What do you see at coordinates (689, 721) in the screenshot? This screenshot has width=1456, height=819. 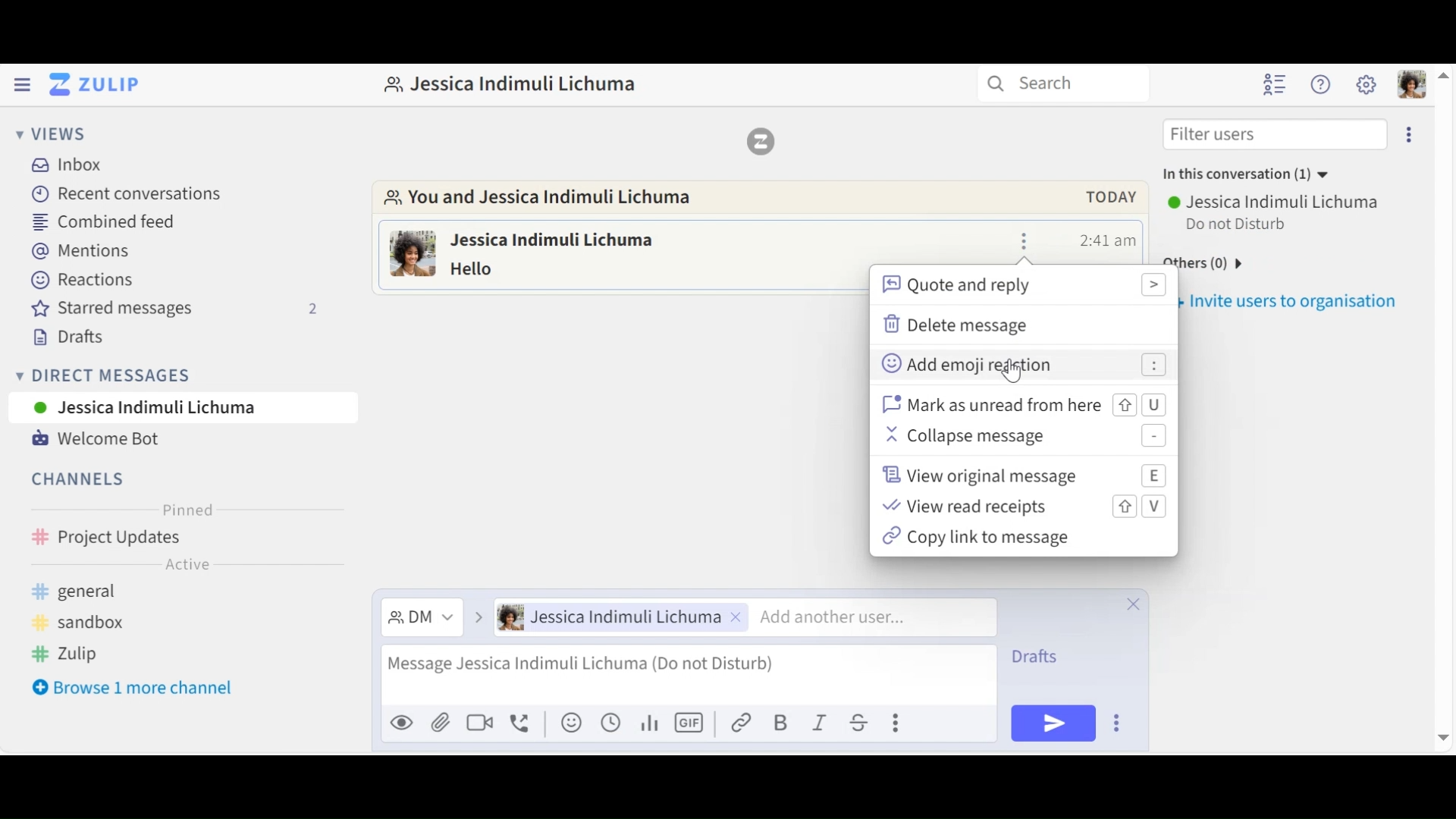 I see `Add GIF` at bounding box center [689, 721].